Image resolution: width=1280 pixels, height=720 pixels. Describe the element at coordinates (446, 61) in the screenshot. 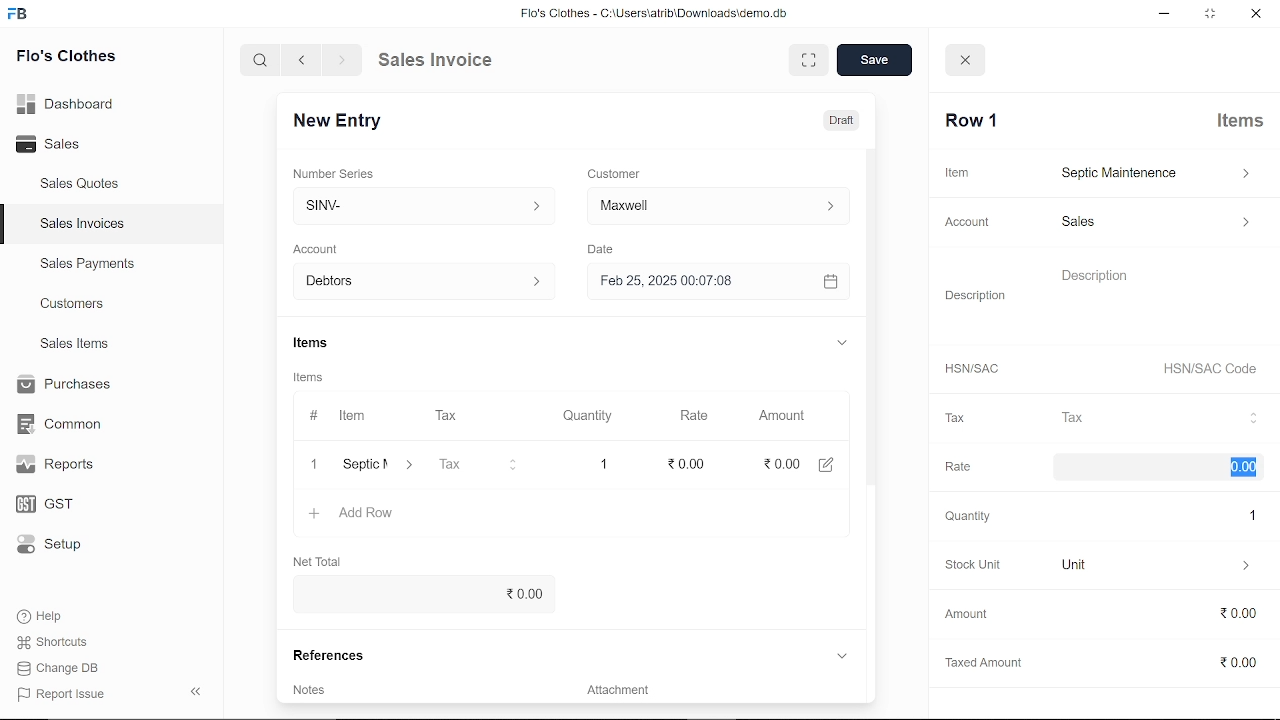

I see ` Sales Invoice` at that location.